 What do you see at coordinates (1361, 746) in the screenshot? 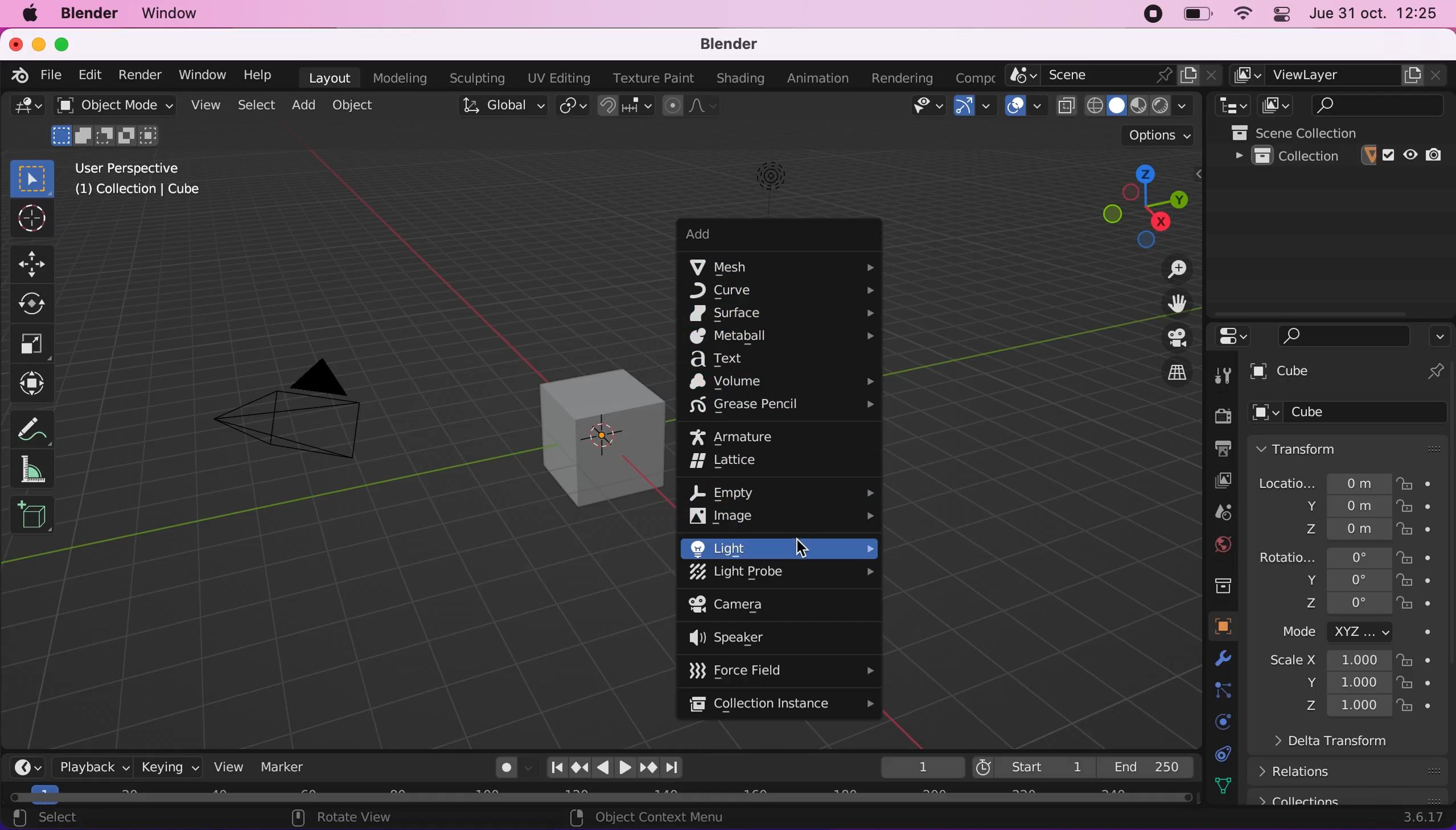
I see `delta transform` at bounding box center [1361, 746].